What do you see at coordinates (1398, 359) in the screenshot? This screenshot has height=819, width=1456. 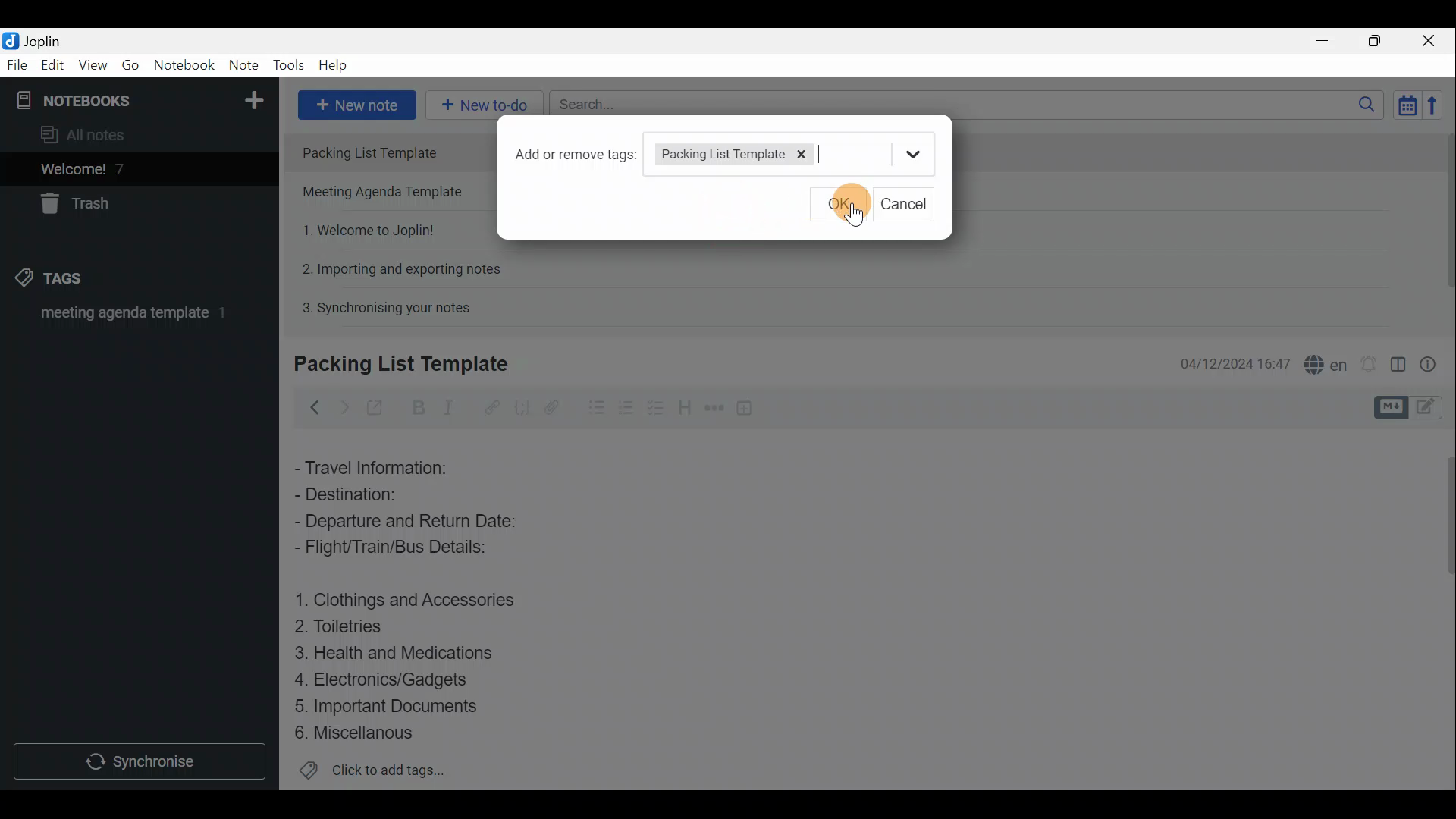 I see `Toggle editor layout` at bounding box center [1398, 359].